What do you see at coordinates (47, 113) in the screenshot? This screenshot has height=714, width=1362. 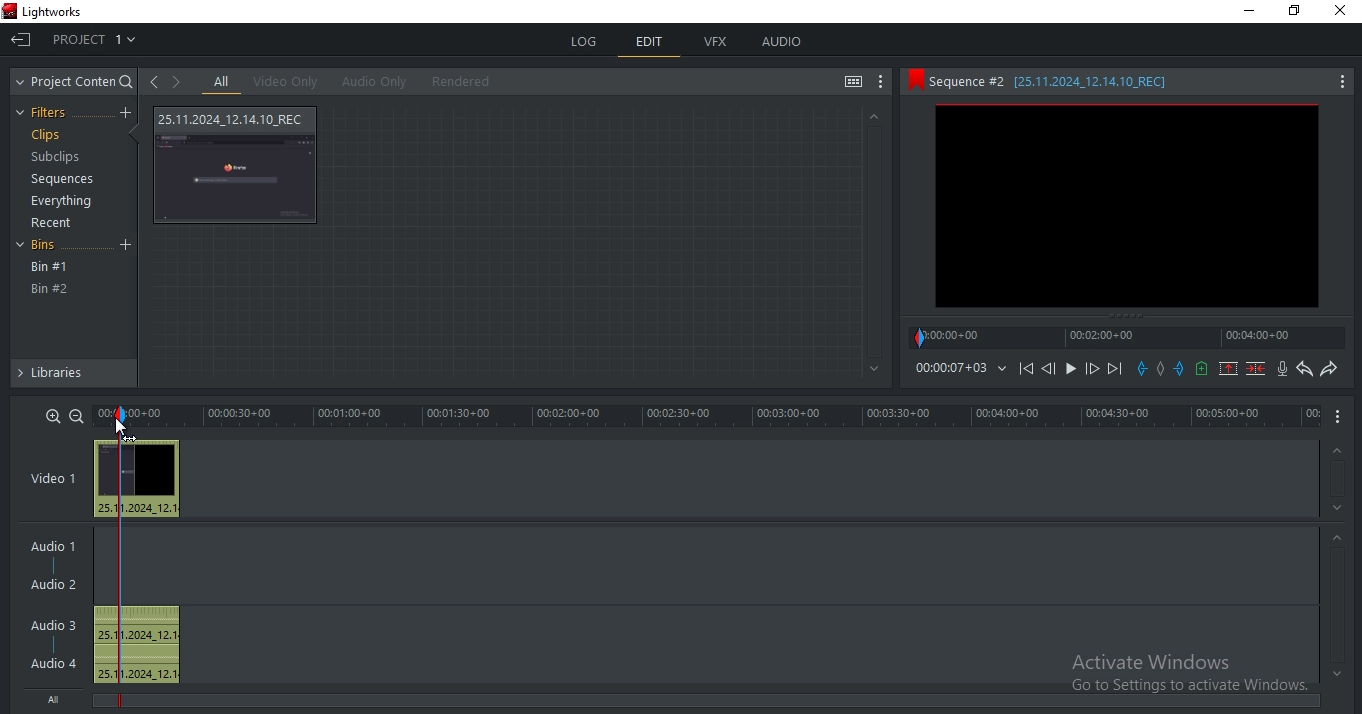 I see `filters` at bounding box center [47, 113].